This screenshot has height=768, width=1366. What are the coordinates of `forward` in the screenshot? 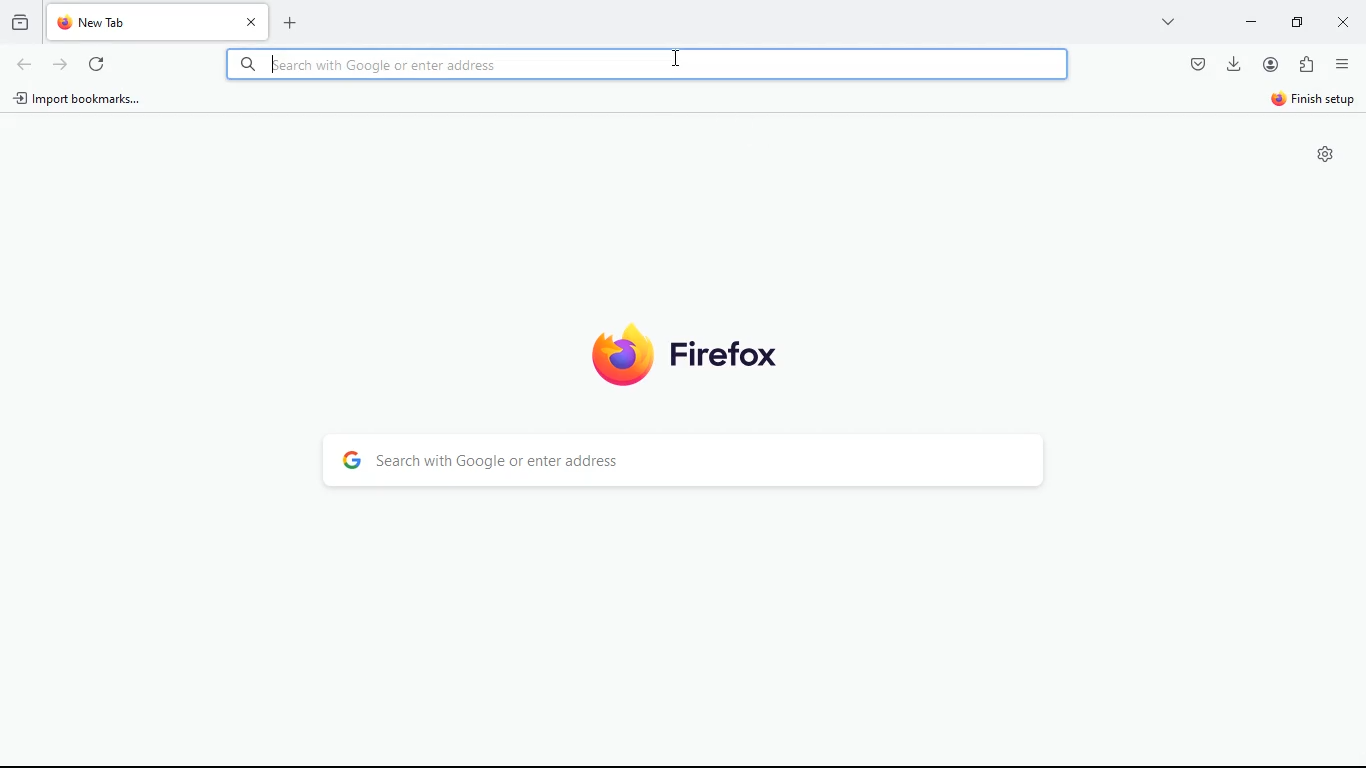 It's located at (63, 63).